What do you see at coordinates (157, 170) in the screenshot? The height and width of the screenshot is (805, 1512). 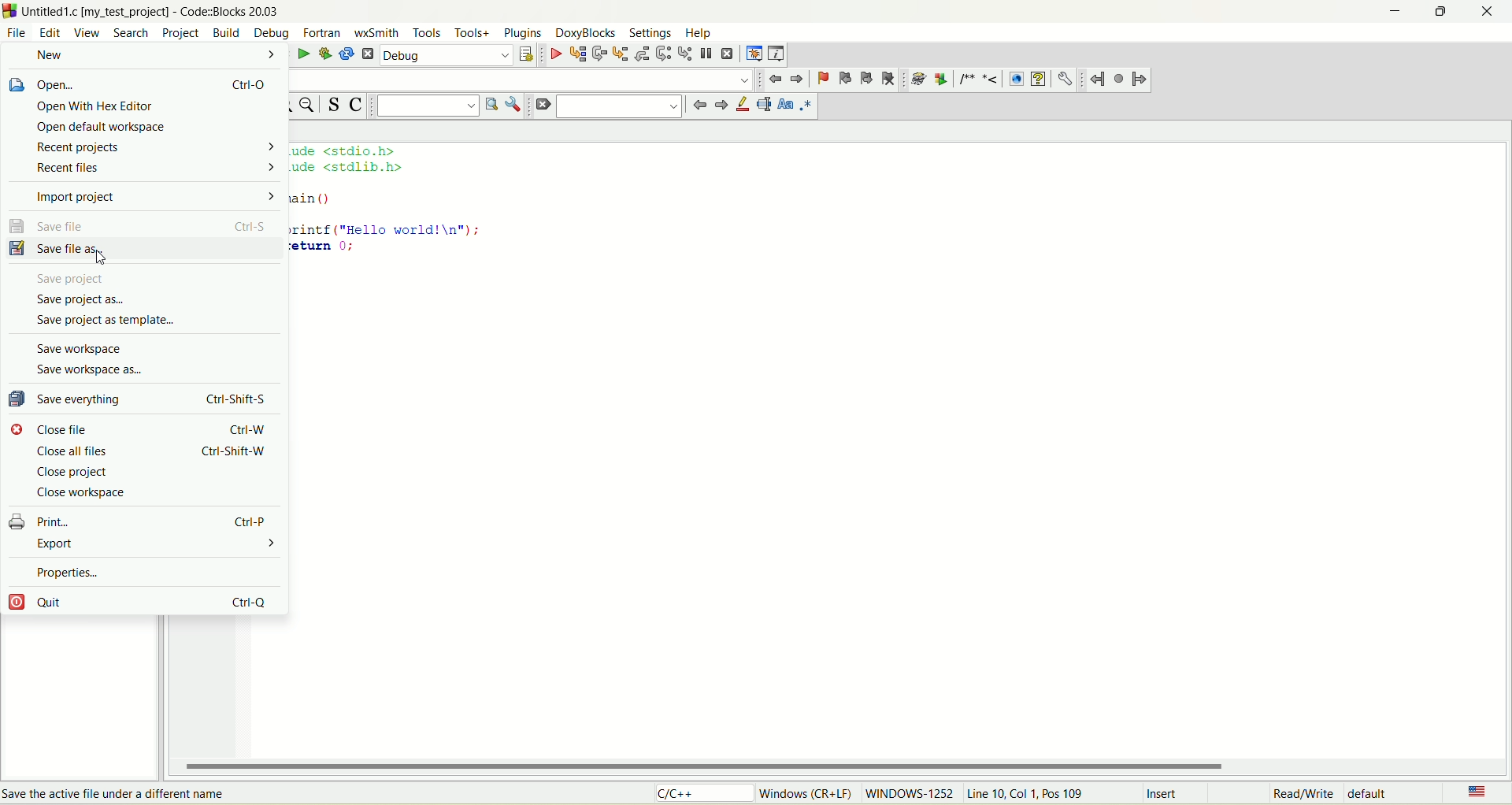 I see `recent files` at bounding box center [157, 170].